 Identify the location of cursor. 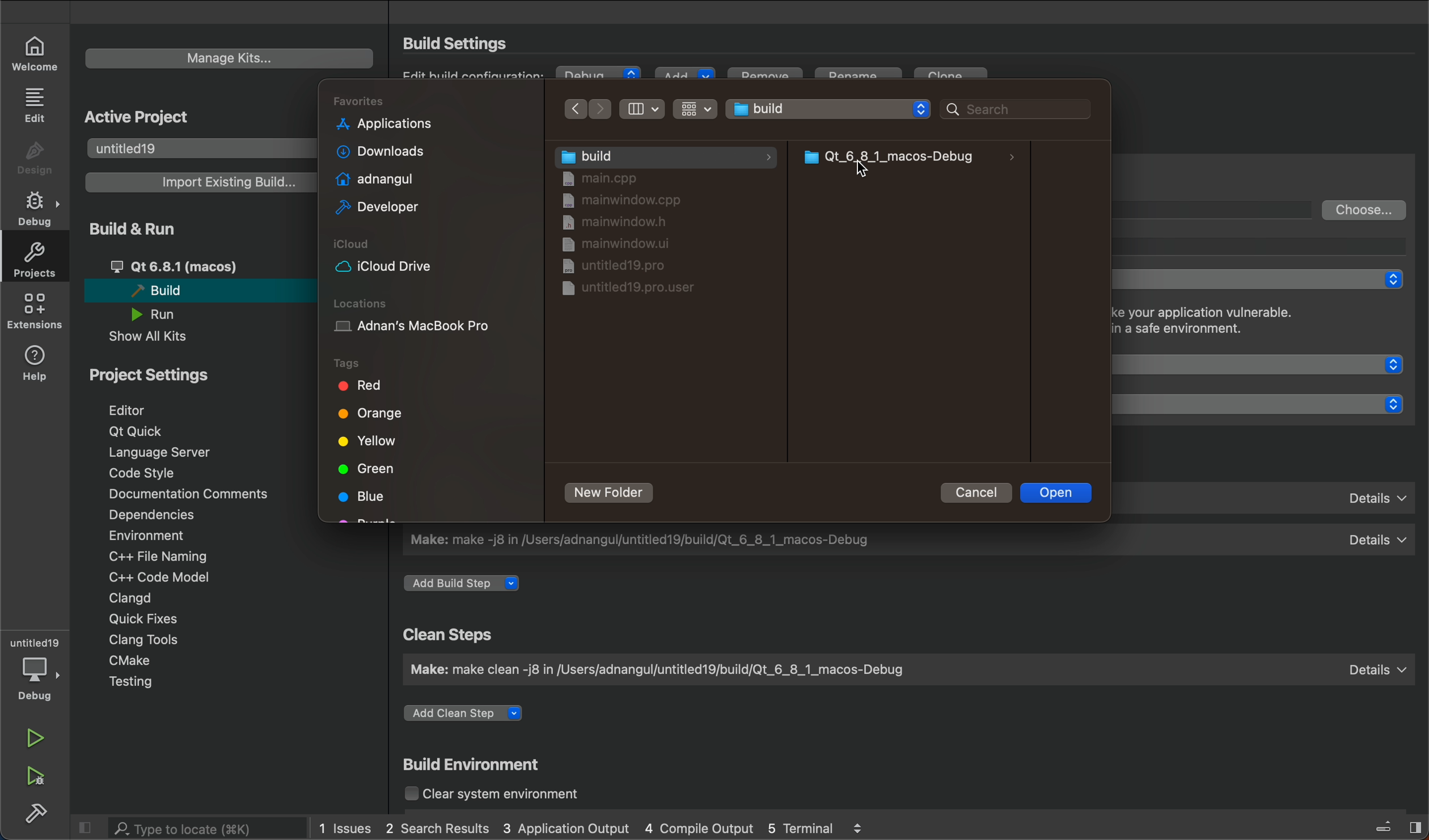
(873, 172).